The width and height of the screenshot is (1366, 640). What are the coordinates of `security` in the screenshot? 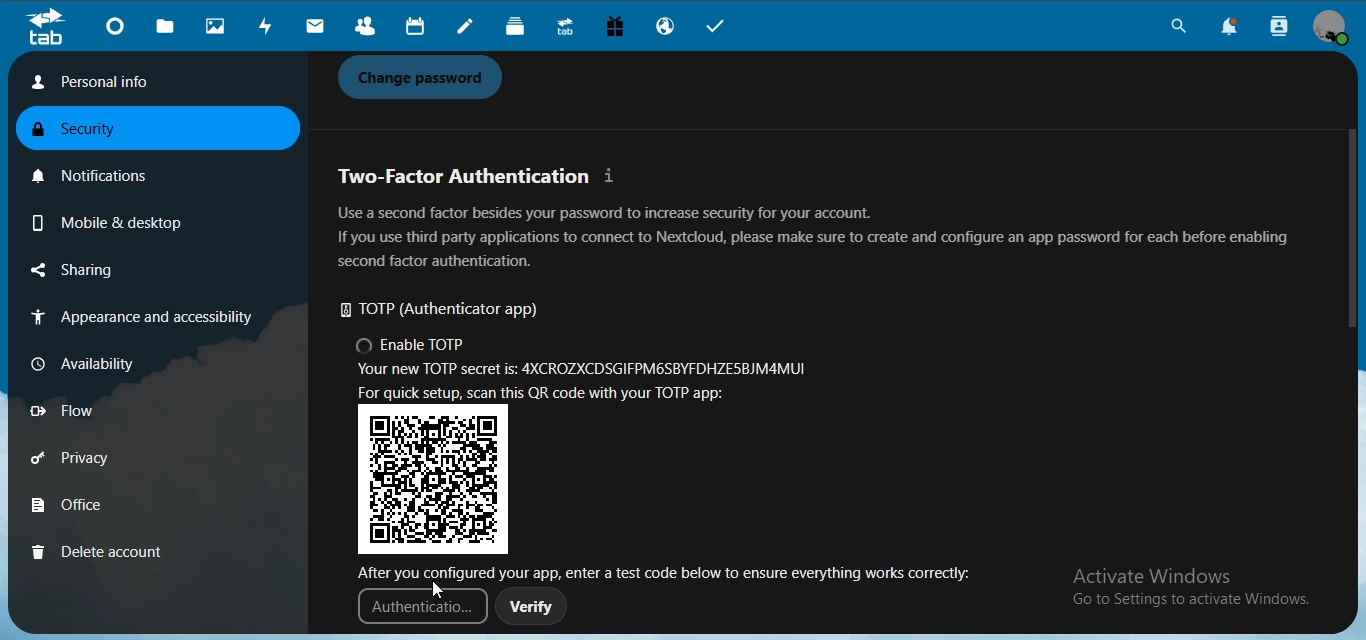 It's located at (89, 131).